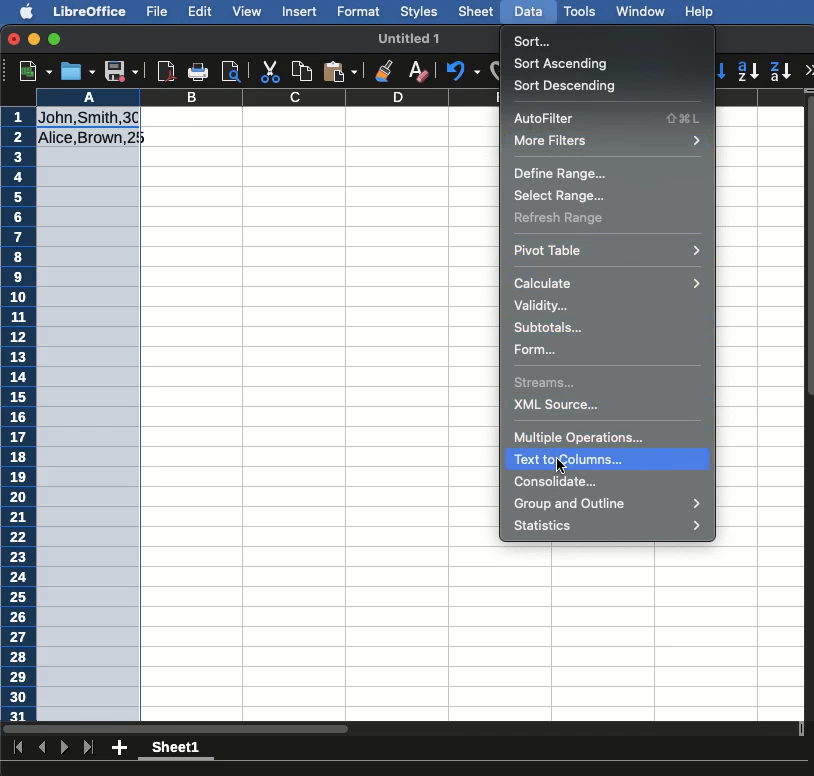  I want to click on Subtotals, so click(552, 327).